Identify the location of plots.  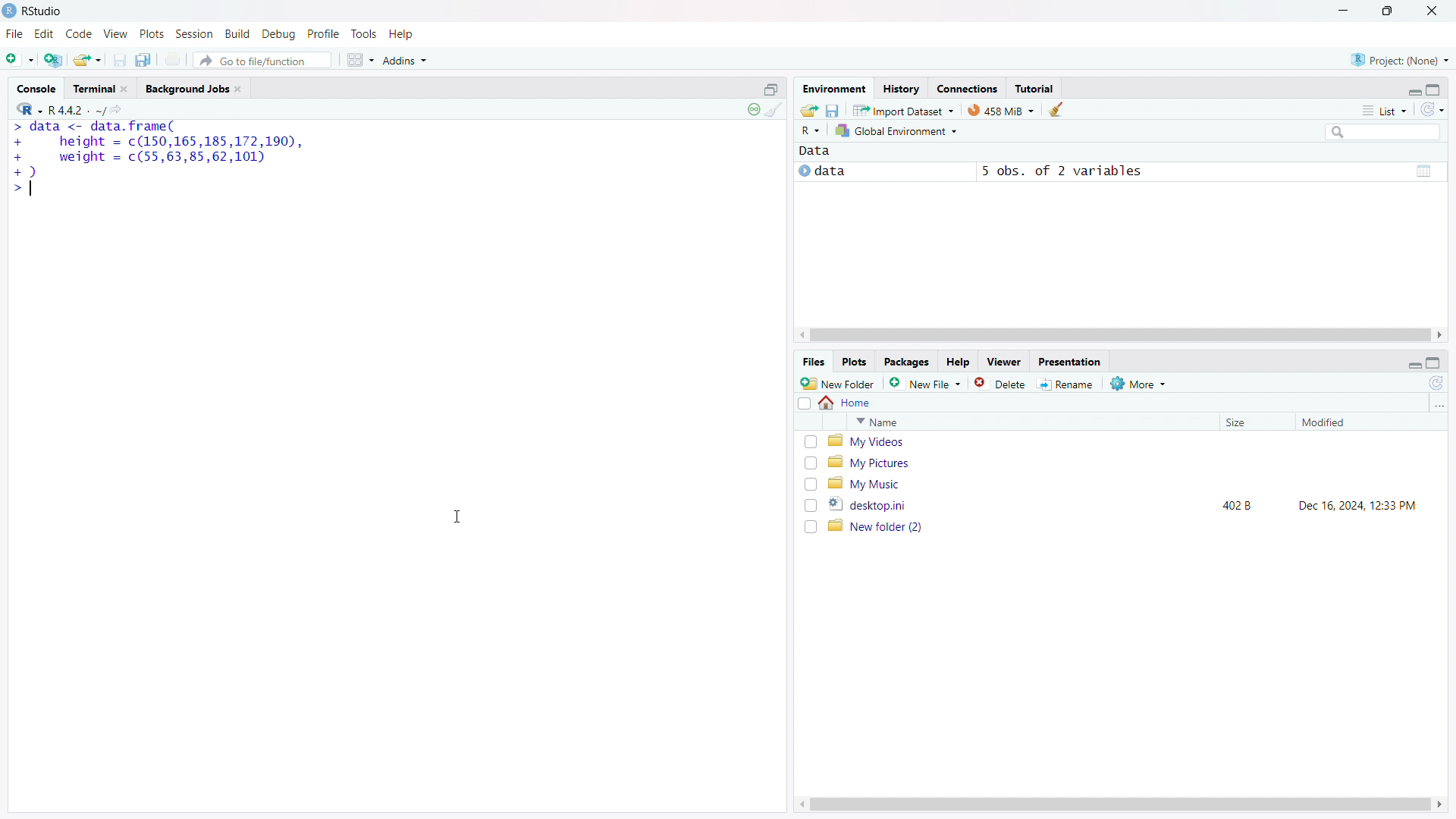
(152, 34).